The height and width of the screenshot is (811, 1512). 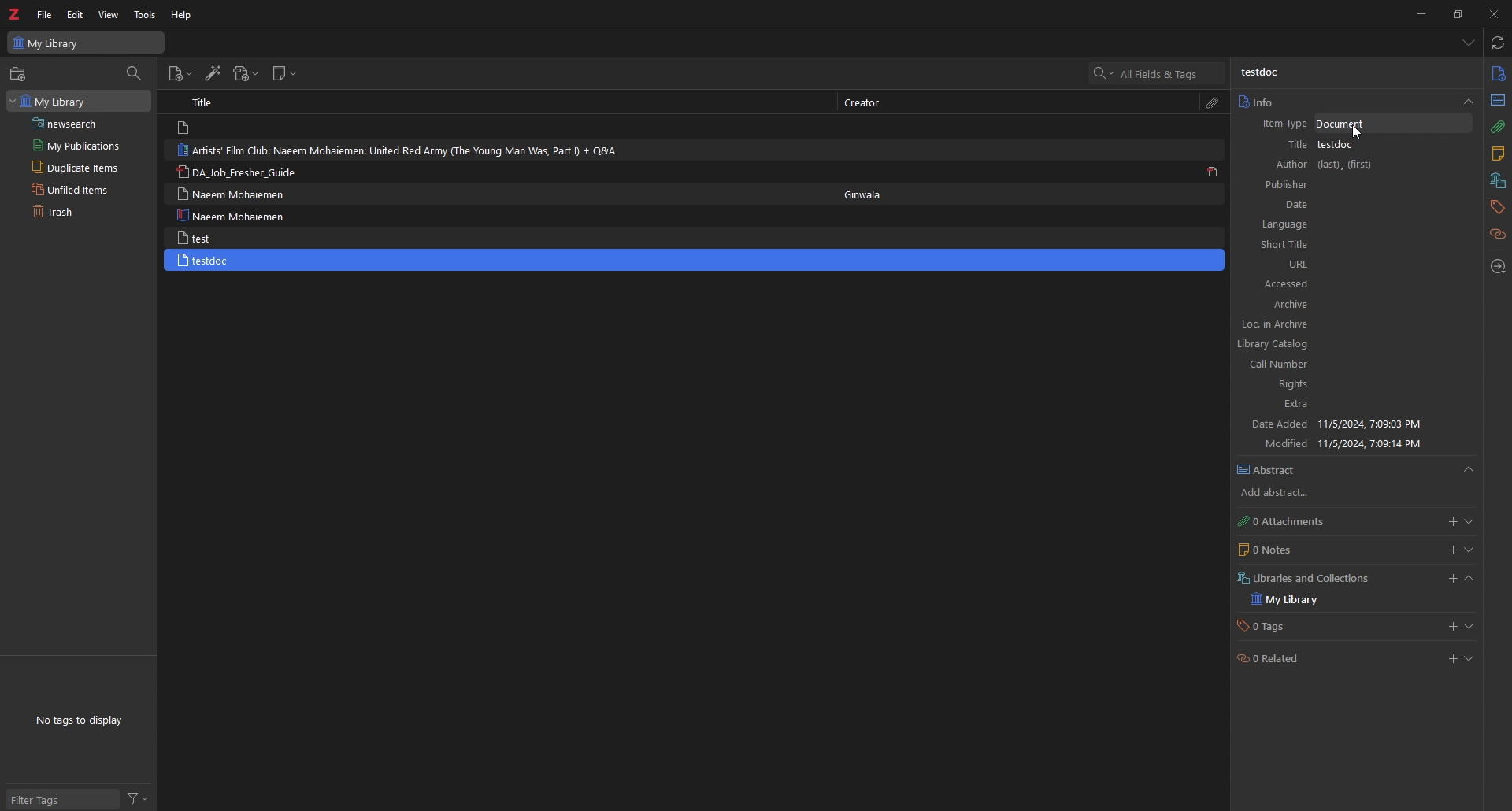 I want to click on Call Number, so click(x=1350, y=366).